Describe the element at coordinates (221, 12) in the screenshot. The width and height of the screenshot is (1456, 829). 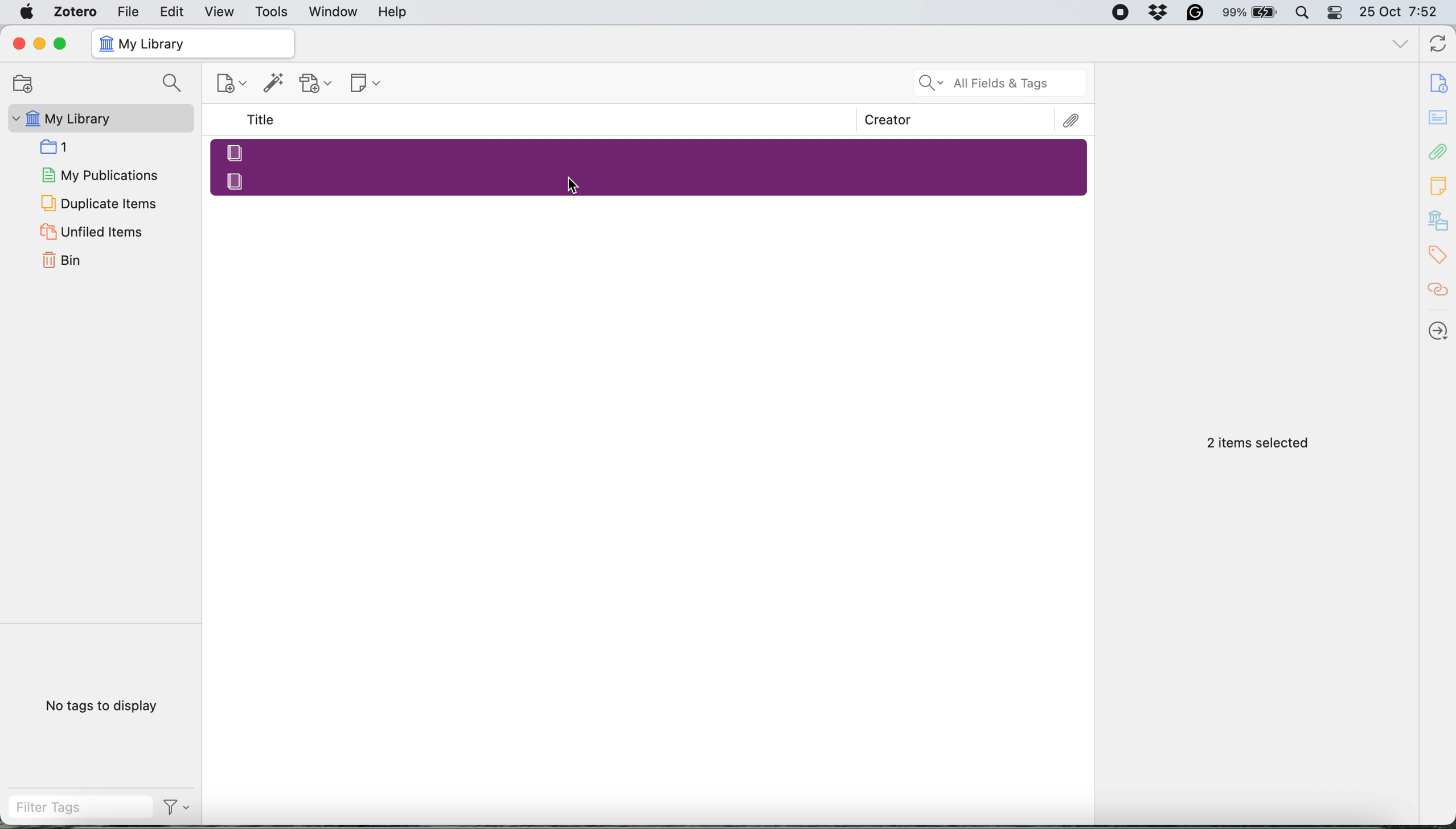
I see `View` at that location.